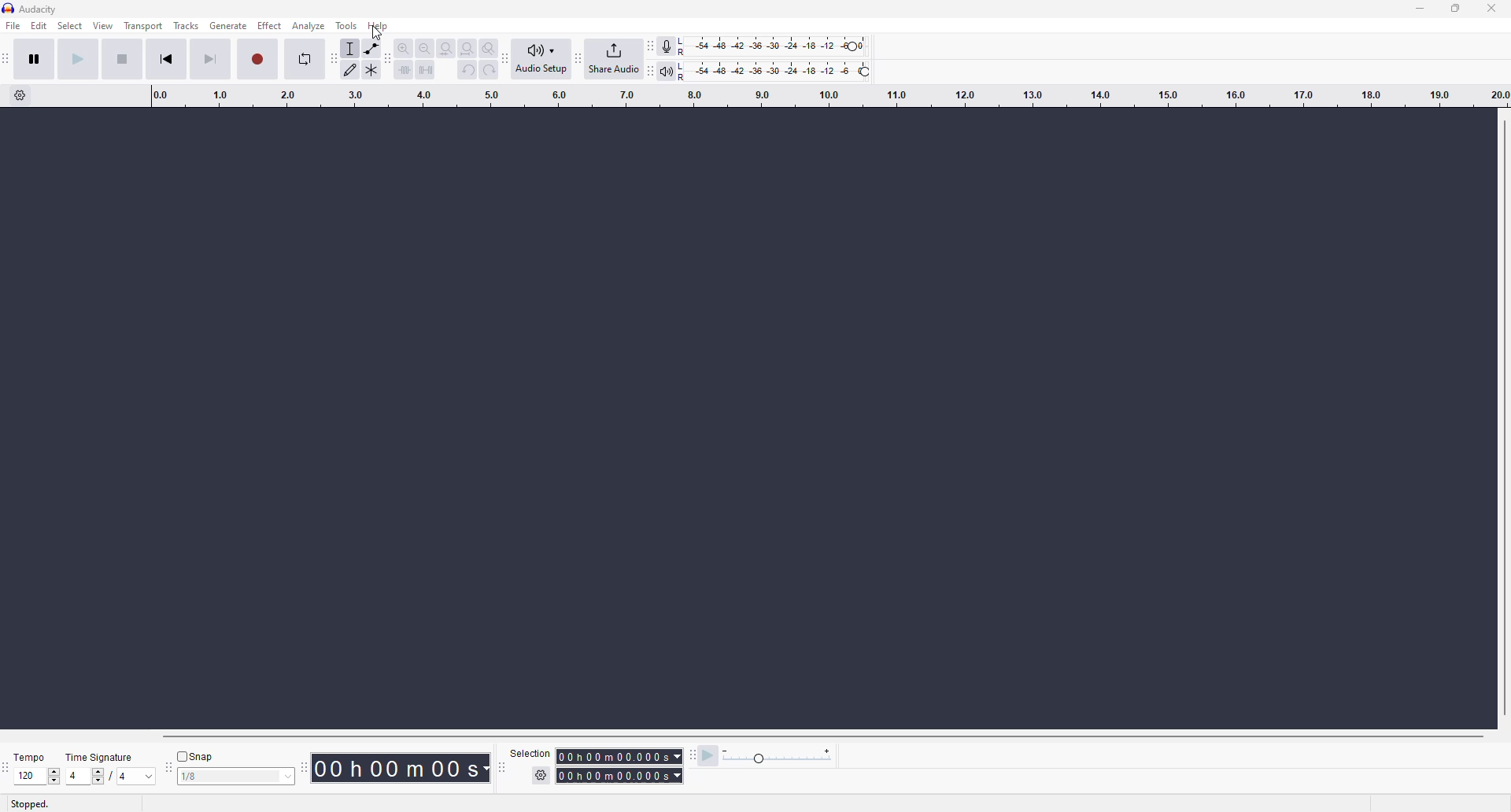  I want to click on audacity edit toolbar, so click(389, 59).